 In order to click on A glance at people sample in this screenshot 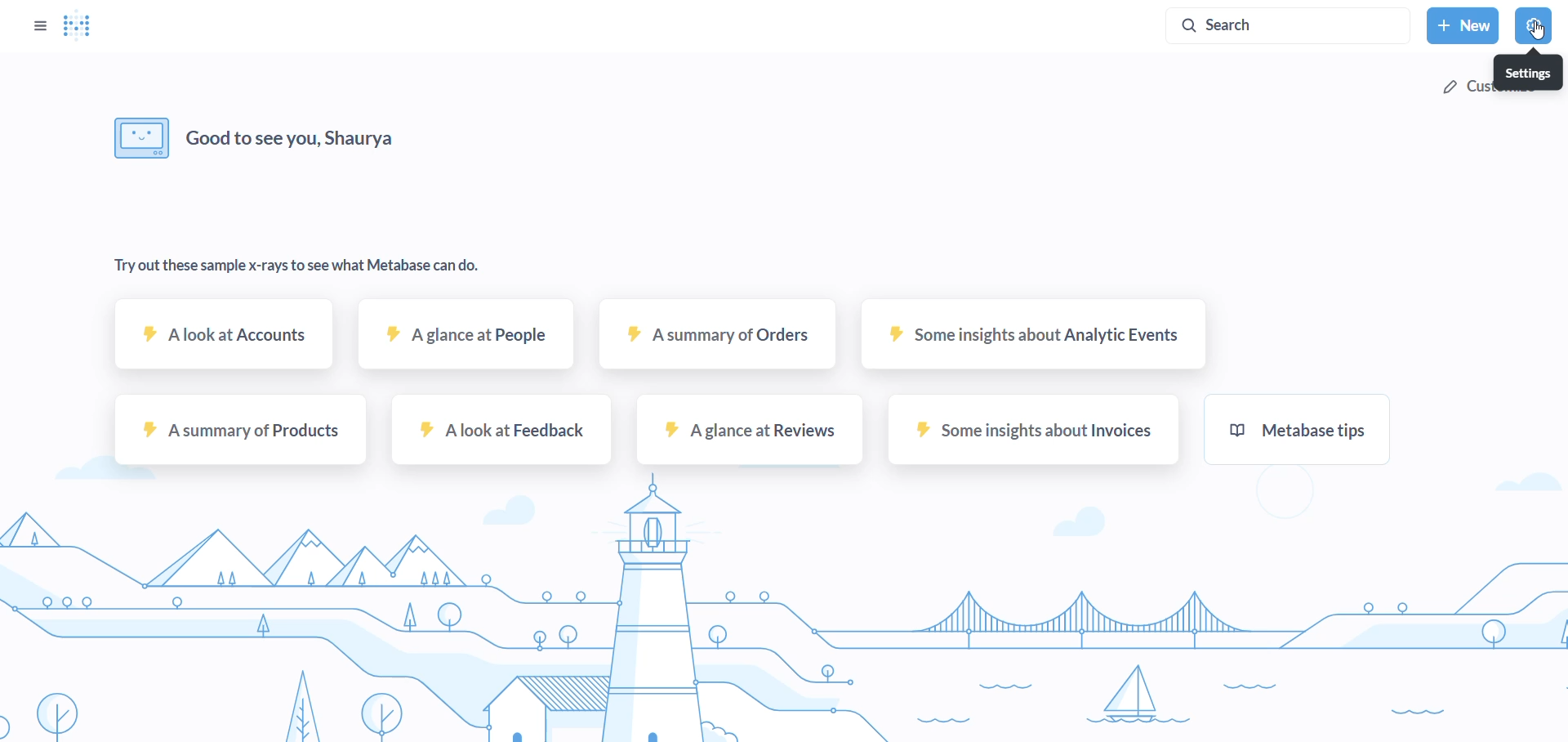, I will do `click(467, 342)`.